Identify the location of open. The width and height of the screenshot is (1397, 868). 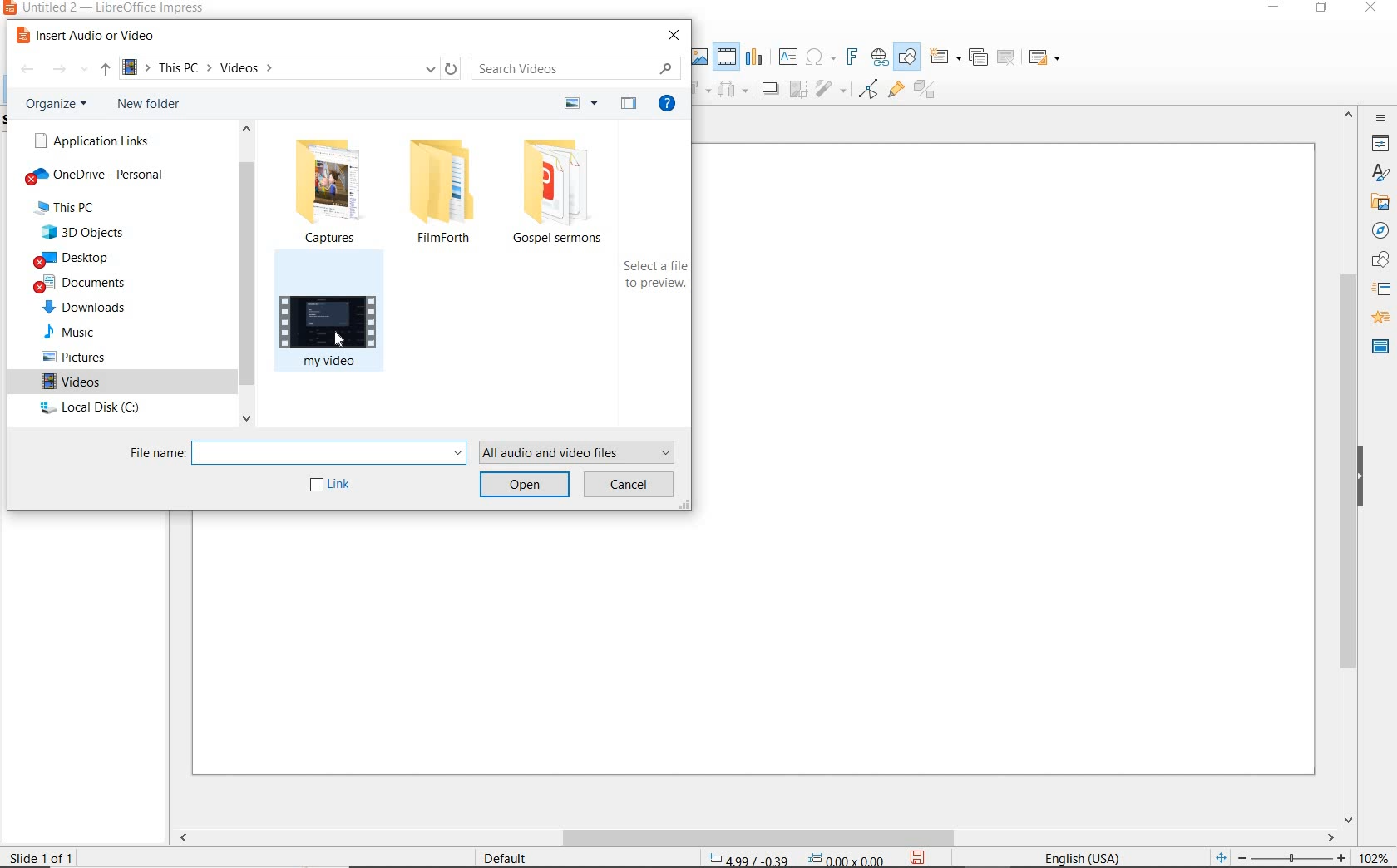
(524, 486).